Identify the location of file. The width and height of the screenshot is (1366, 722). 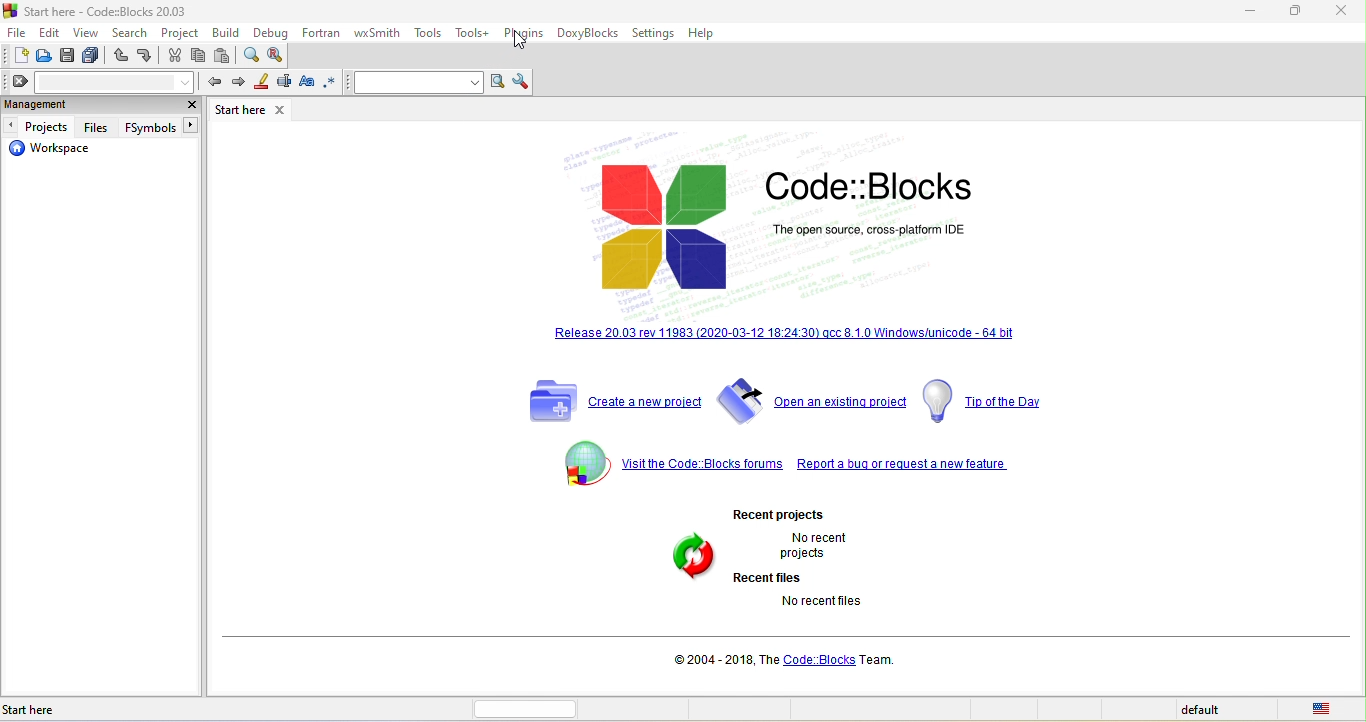
(17, 31).